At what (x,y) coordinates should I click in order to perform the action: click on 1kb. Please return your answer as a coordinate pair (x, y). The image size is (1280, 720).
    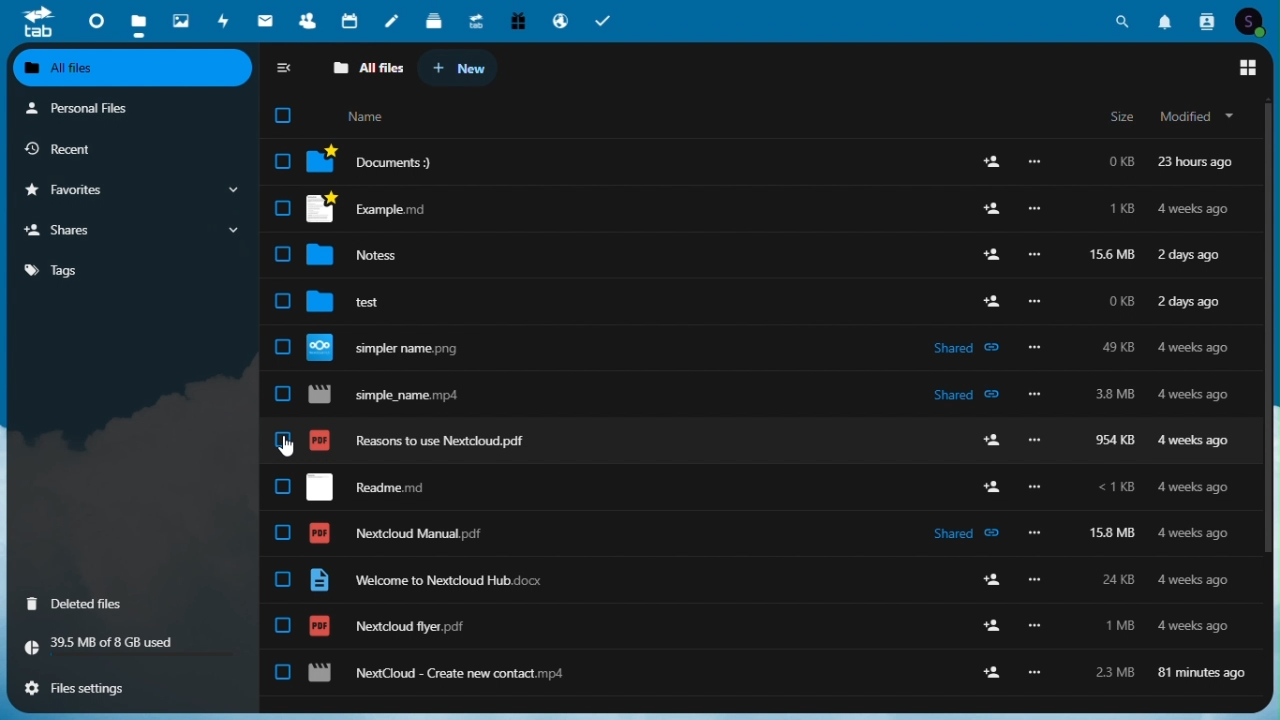
    Looking at the image, I should click on (1120, 210).